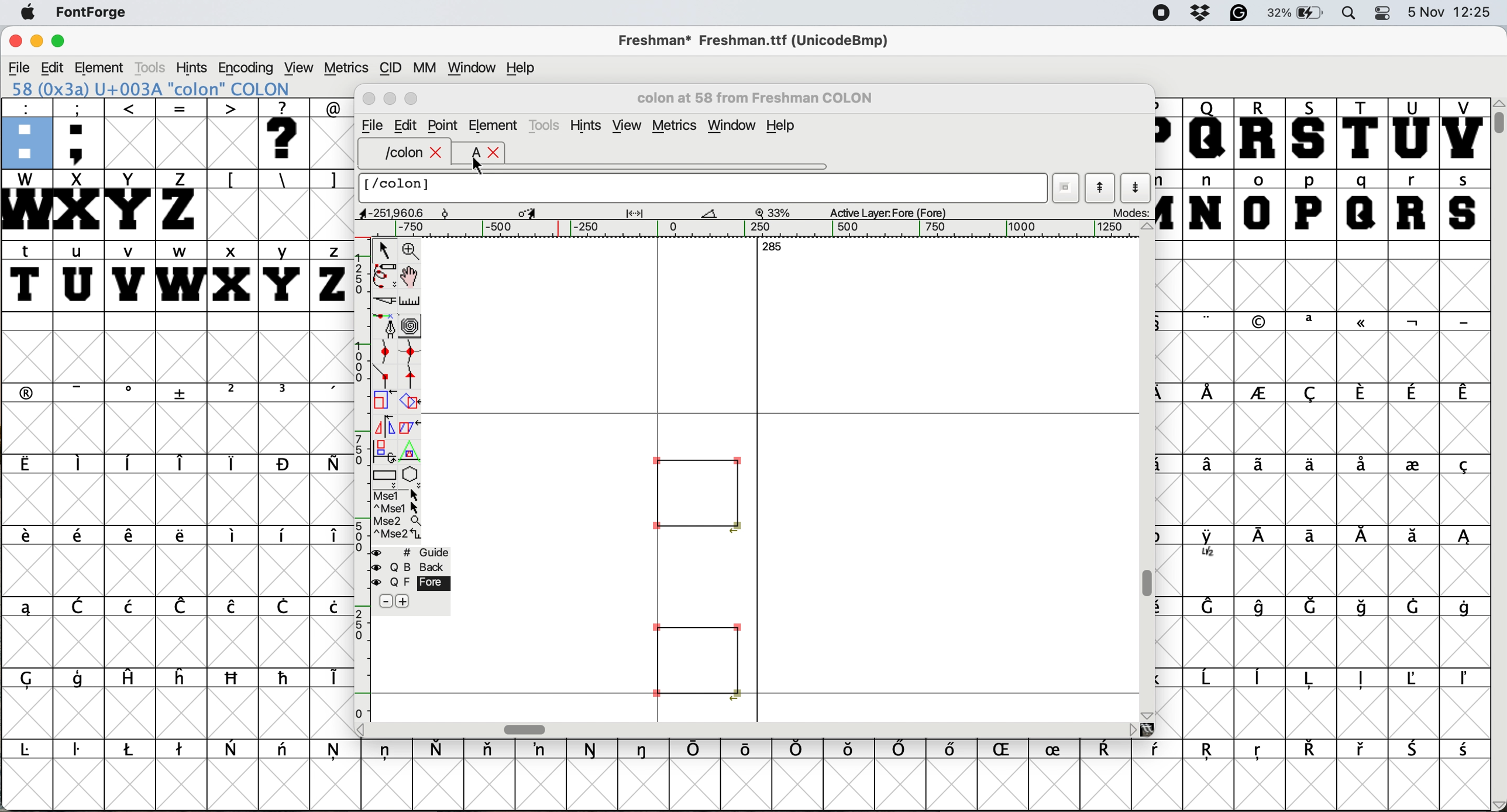  I want to click on symbol, so click(1363, 607).